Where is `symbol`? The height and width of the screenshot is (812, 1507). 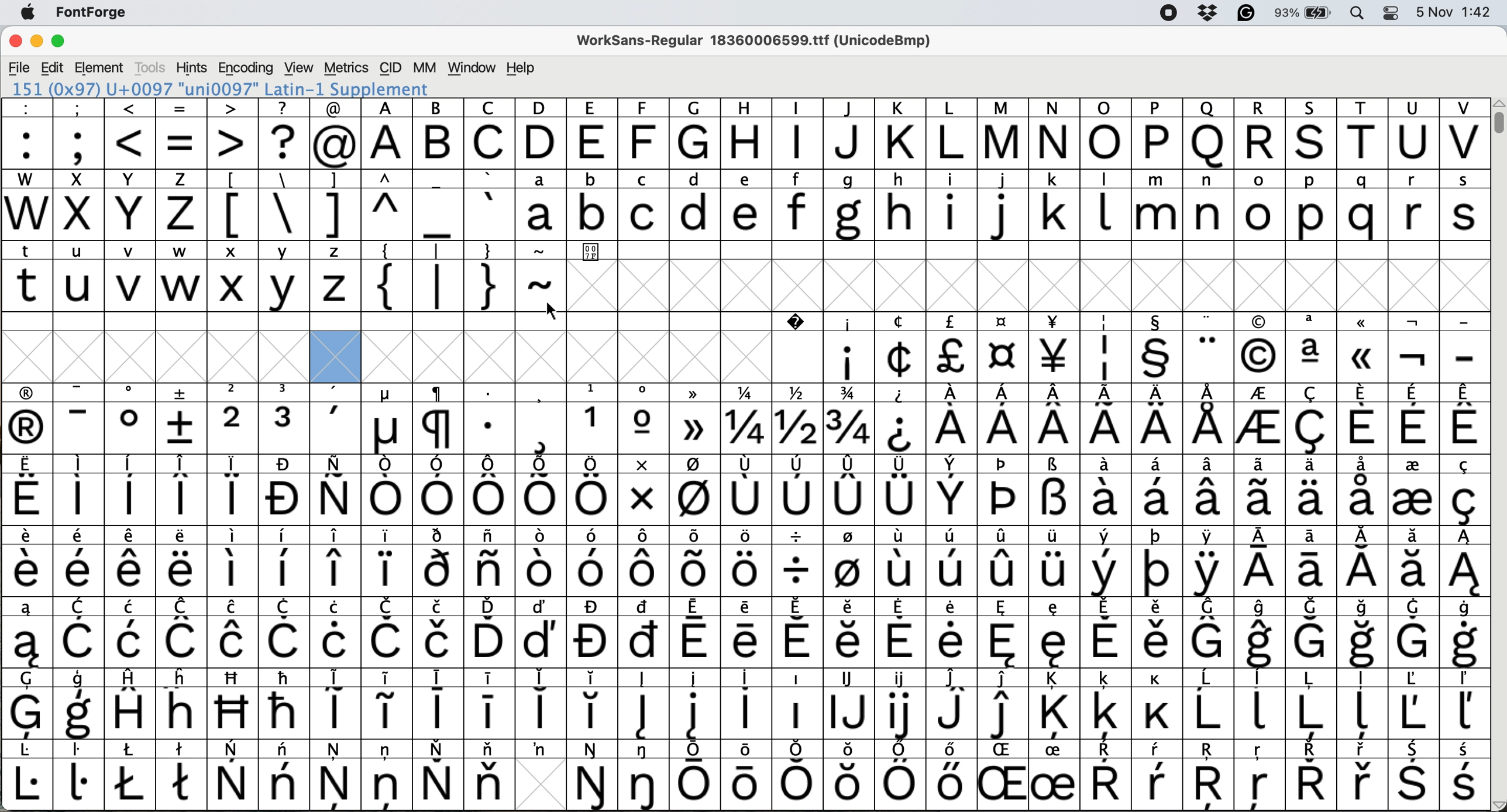
symbol is located at coordinates (1261, 702).